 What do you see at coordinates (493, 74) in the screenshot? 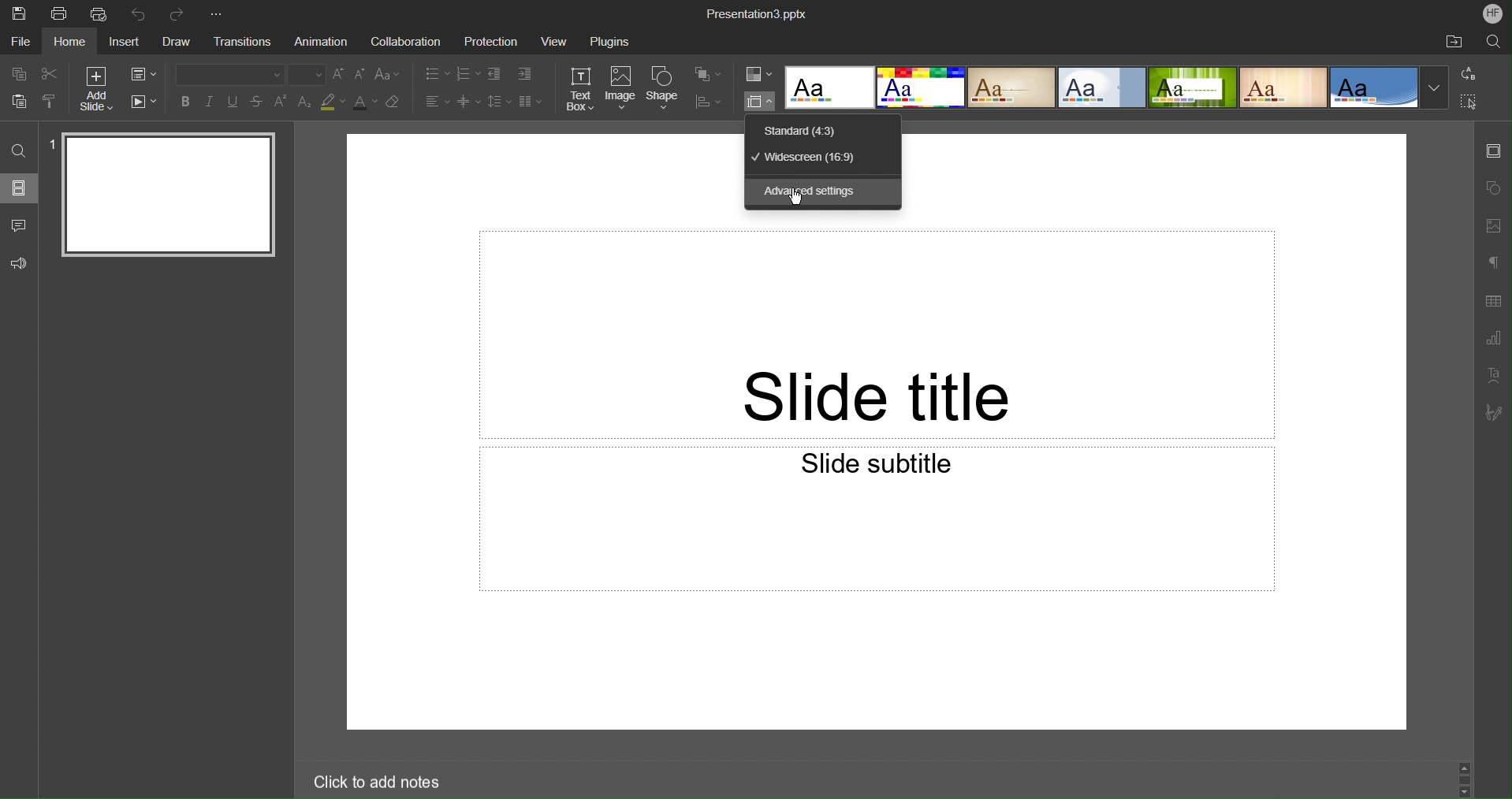
I see `Decrease indent` at bounding box center [493, 74].